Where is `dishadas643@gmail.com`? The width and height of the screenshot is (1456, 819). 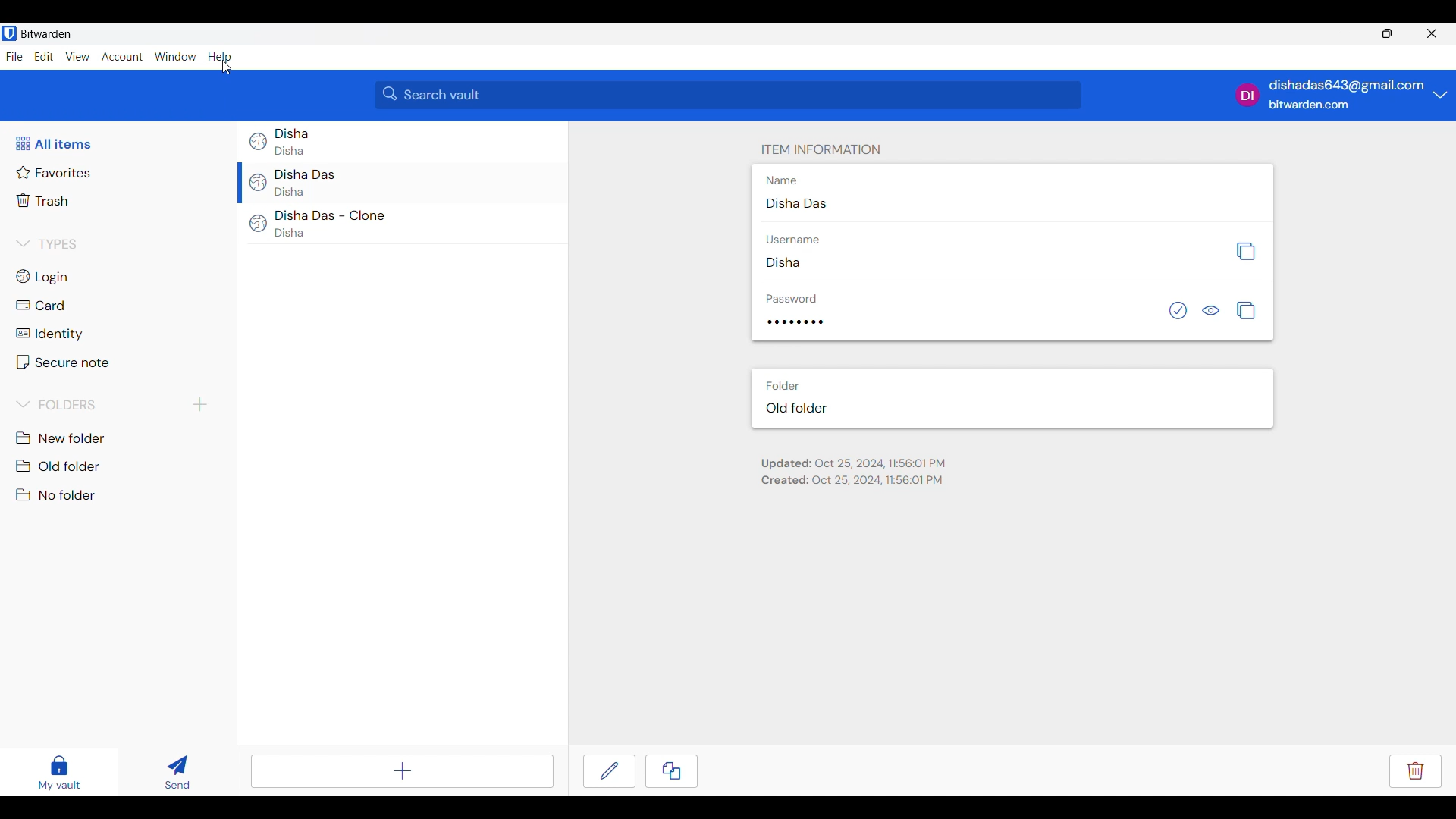
dishadas643@gmail.com is located at coordinates (1348, 86).